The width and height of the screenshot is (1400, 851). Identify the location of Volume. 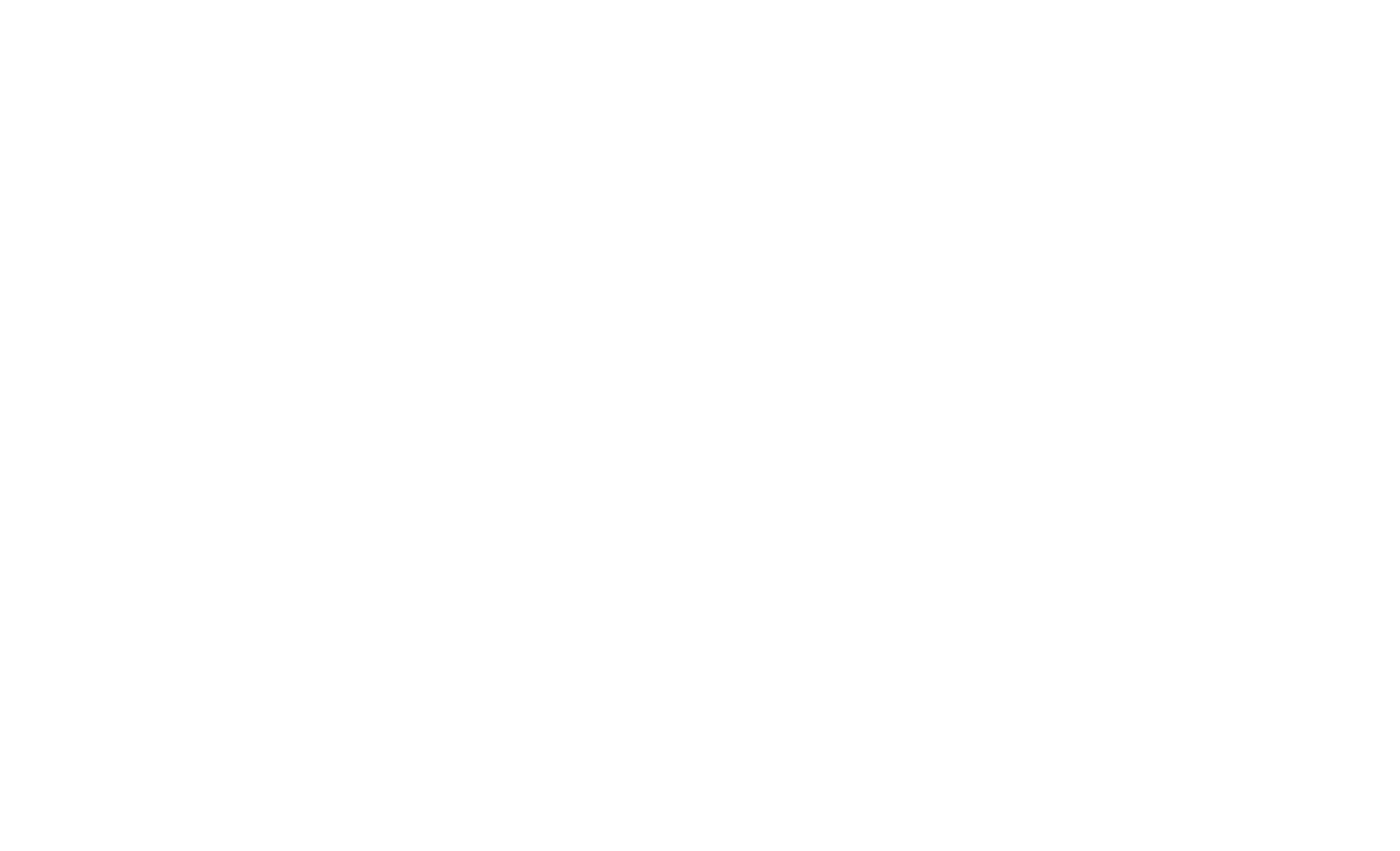
(740, 641).